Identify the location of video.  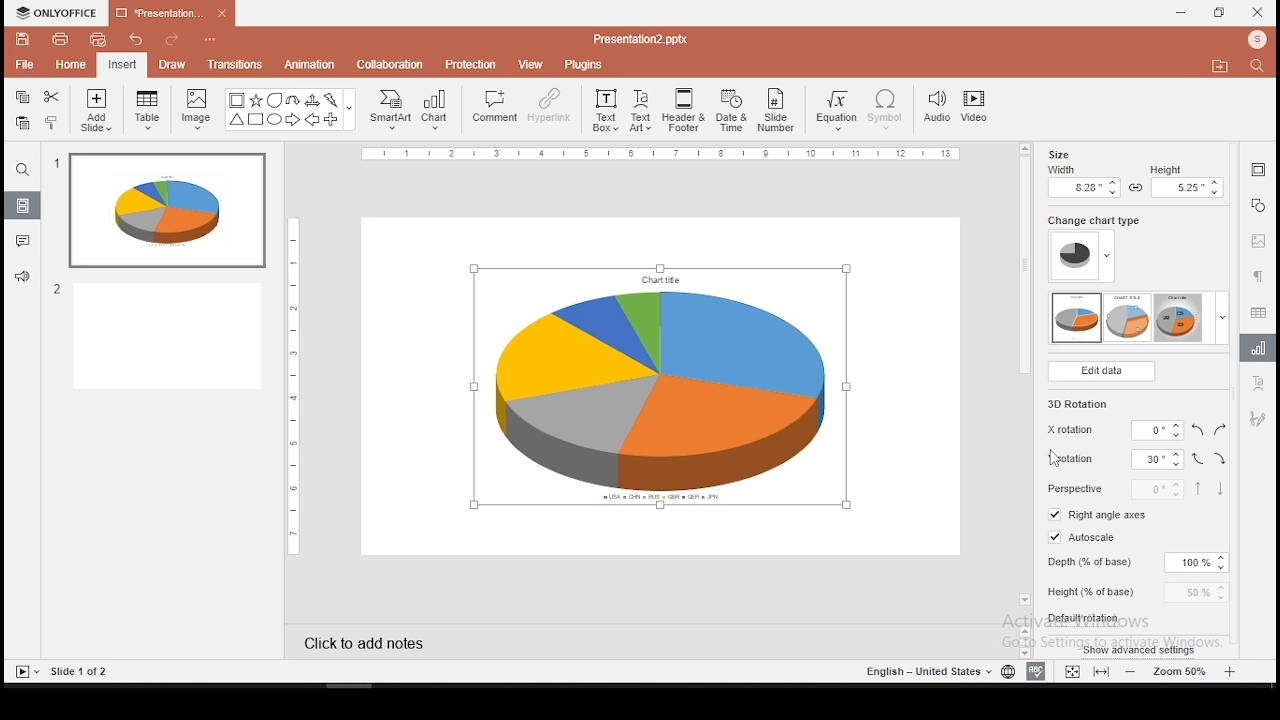
(977, 108).